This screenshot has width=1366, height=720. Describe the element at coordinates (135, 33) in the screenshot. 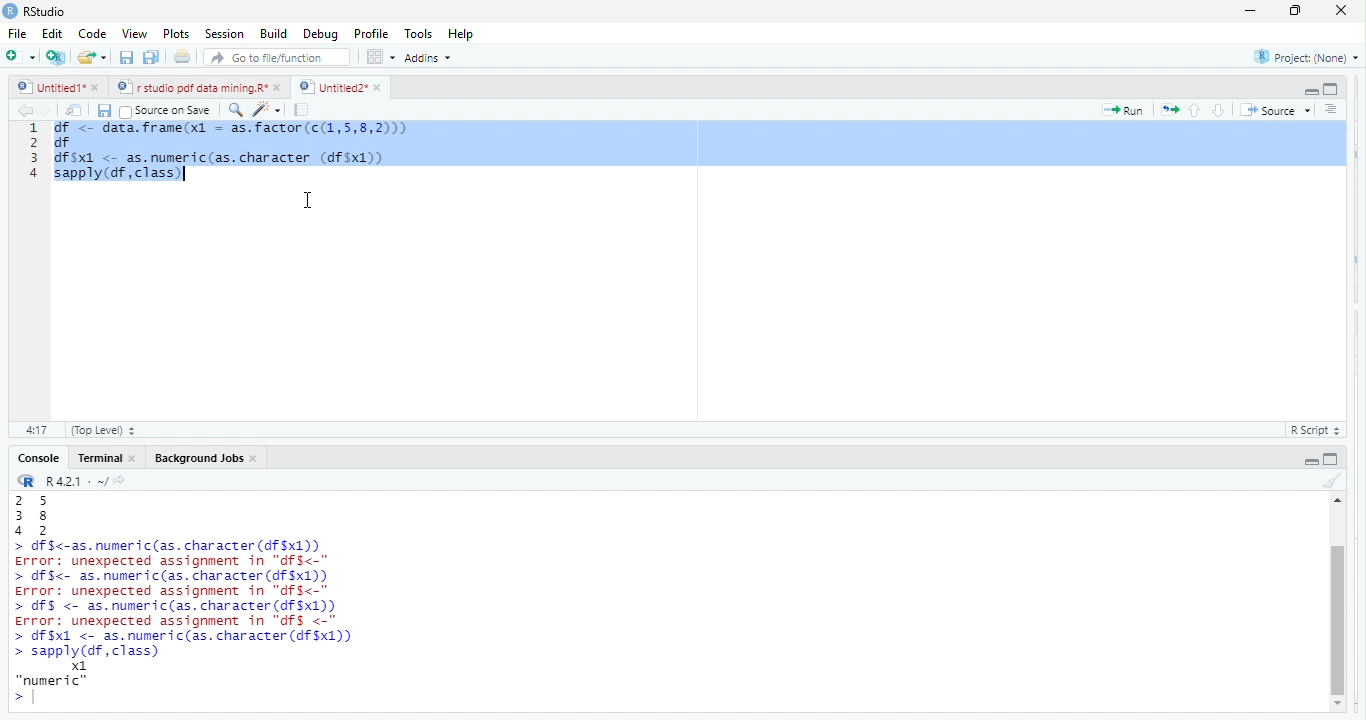

I see `View` at that location.